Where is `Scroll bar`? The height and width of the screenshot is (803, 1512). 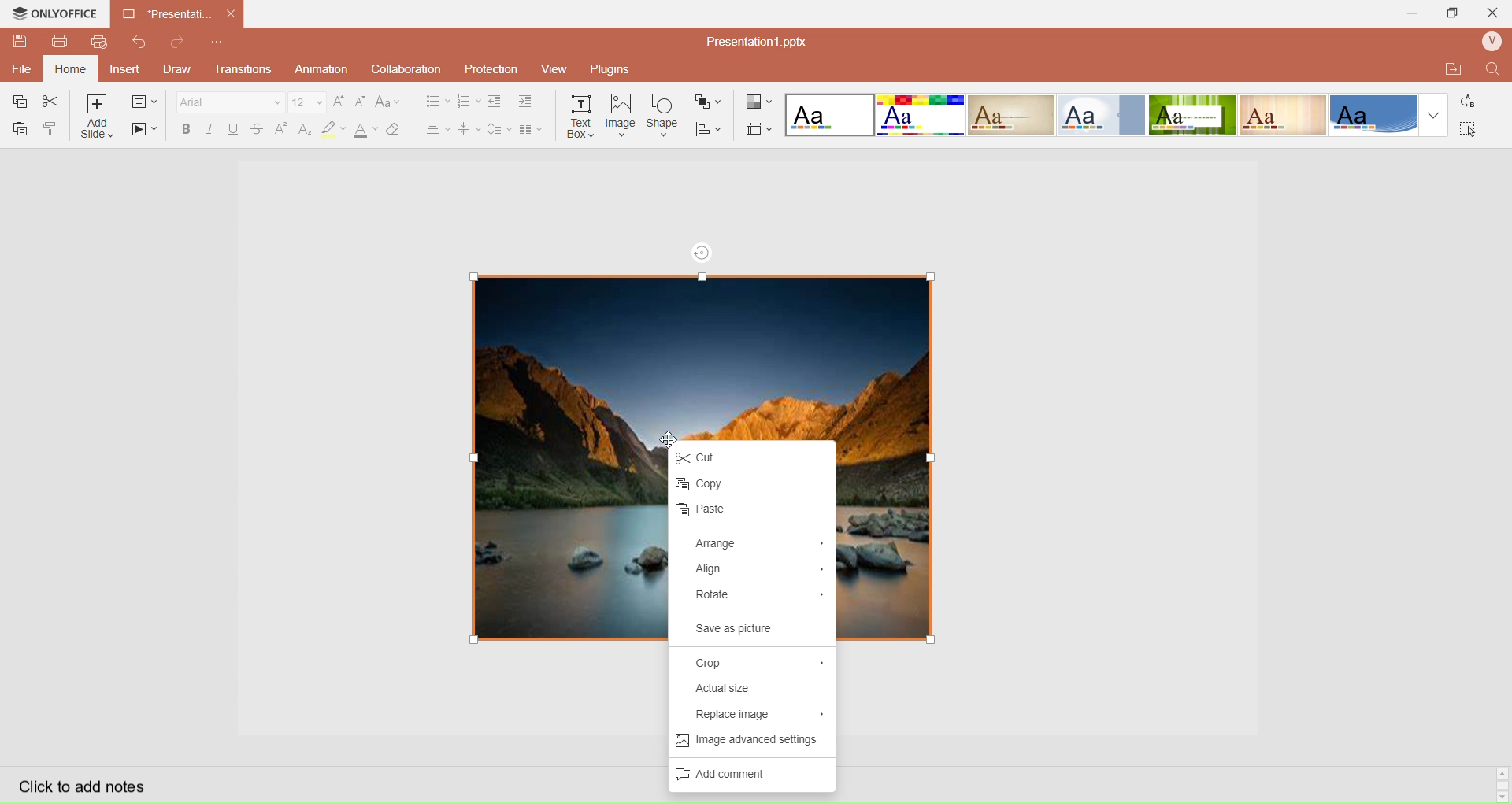 Scroll bar is located at coordinates (1502, 785).